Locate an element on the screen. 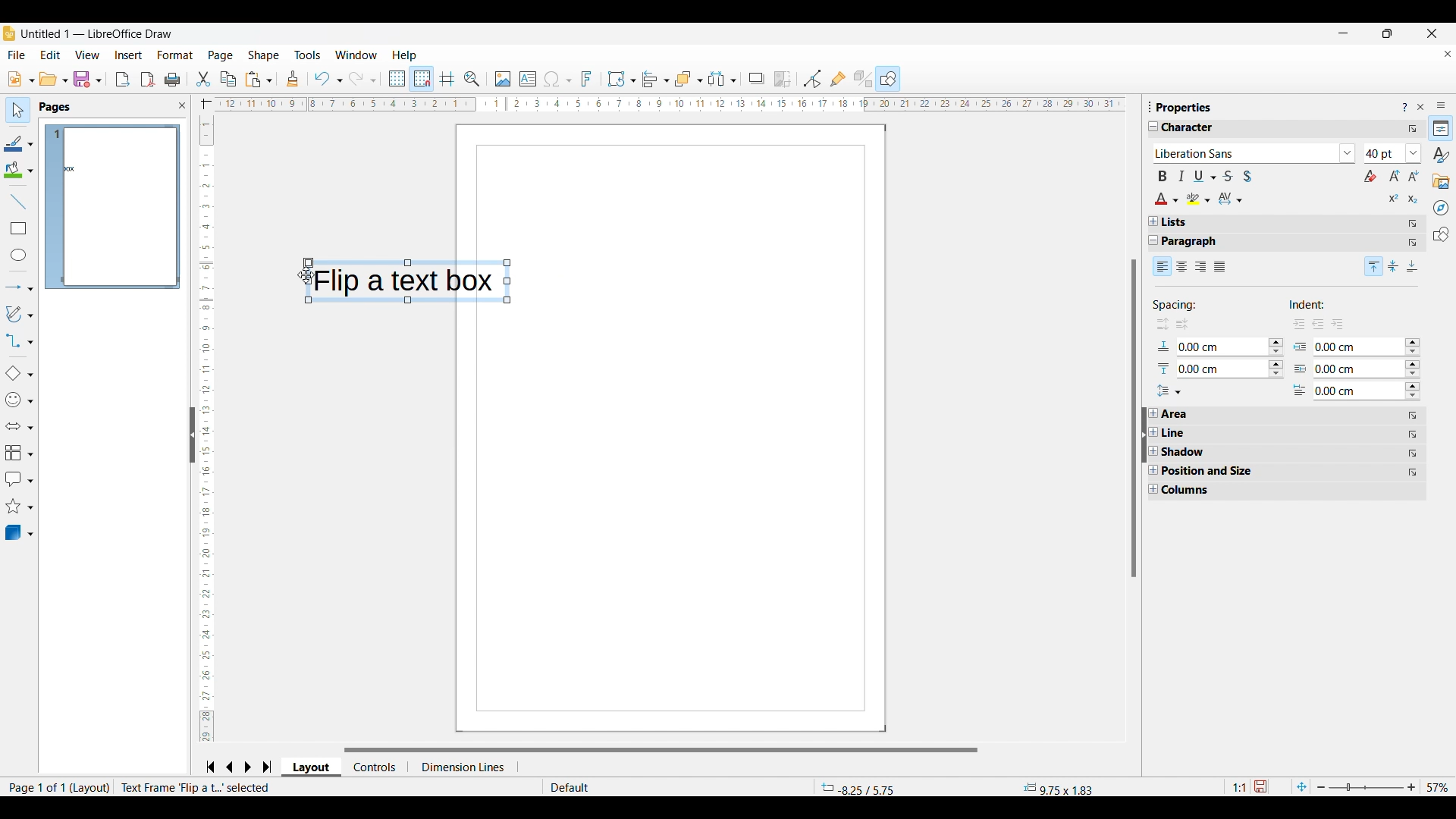 This screenshot has height=819, width=1456. 3D object options  is located at coordinates (20, 532).